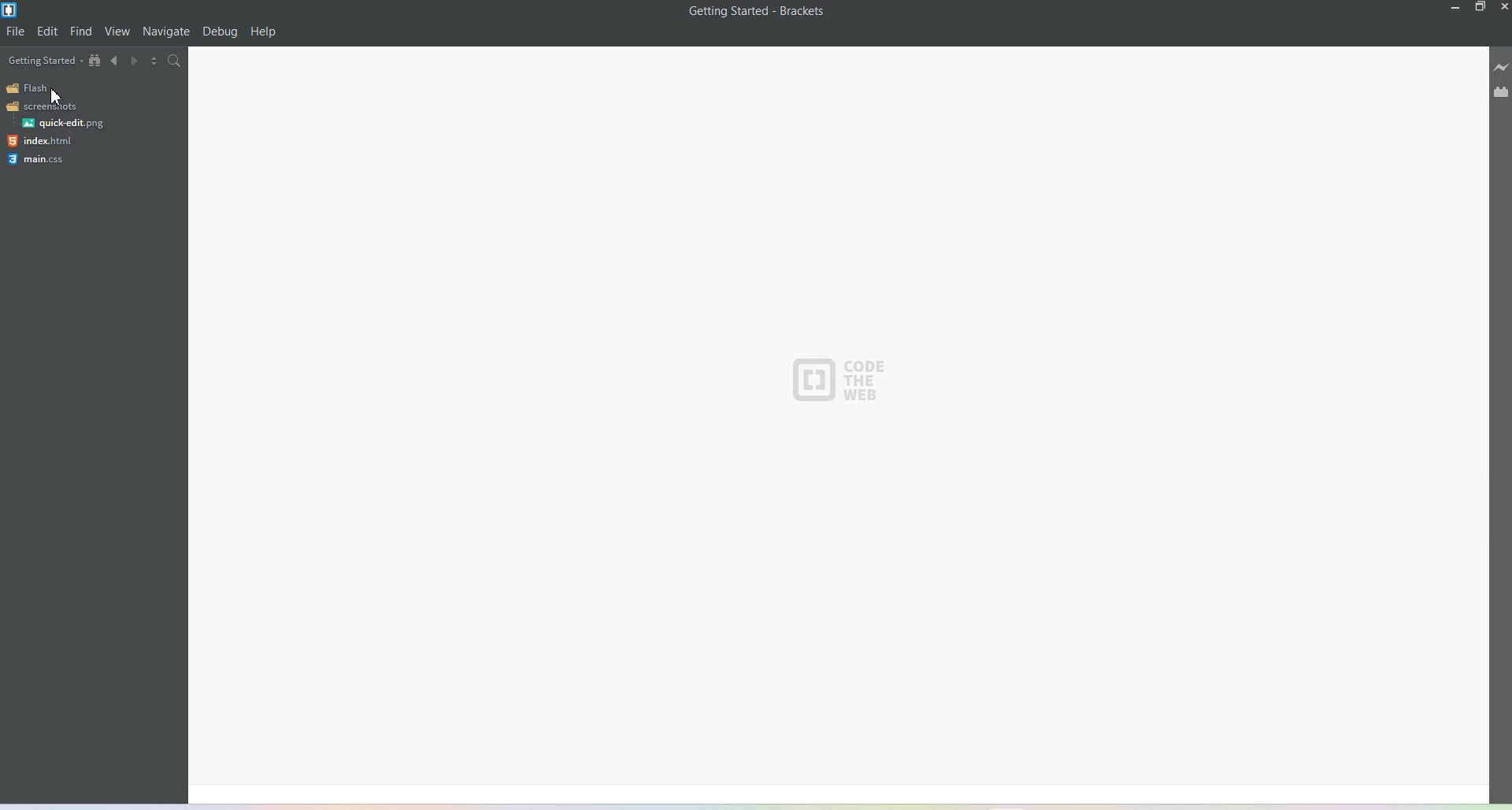  I want to click on Navigate Forwards, so click(138, 63).